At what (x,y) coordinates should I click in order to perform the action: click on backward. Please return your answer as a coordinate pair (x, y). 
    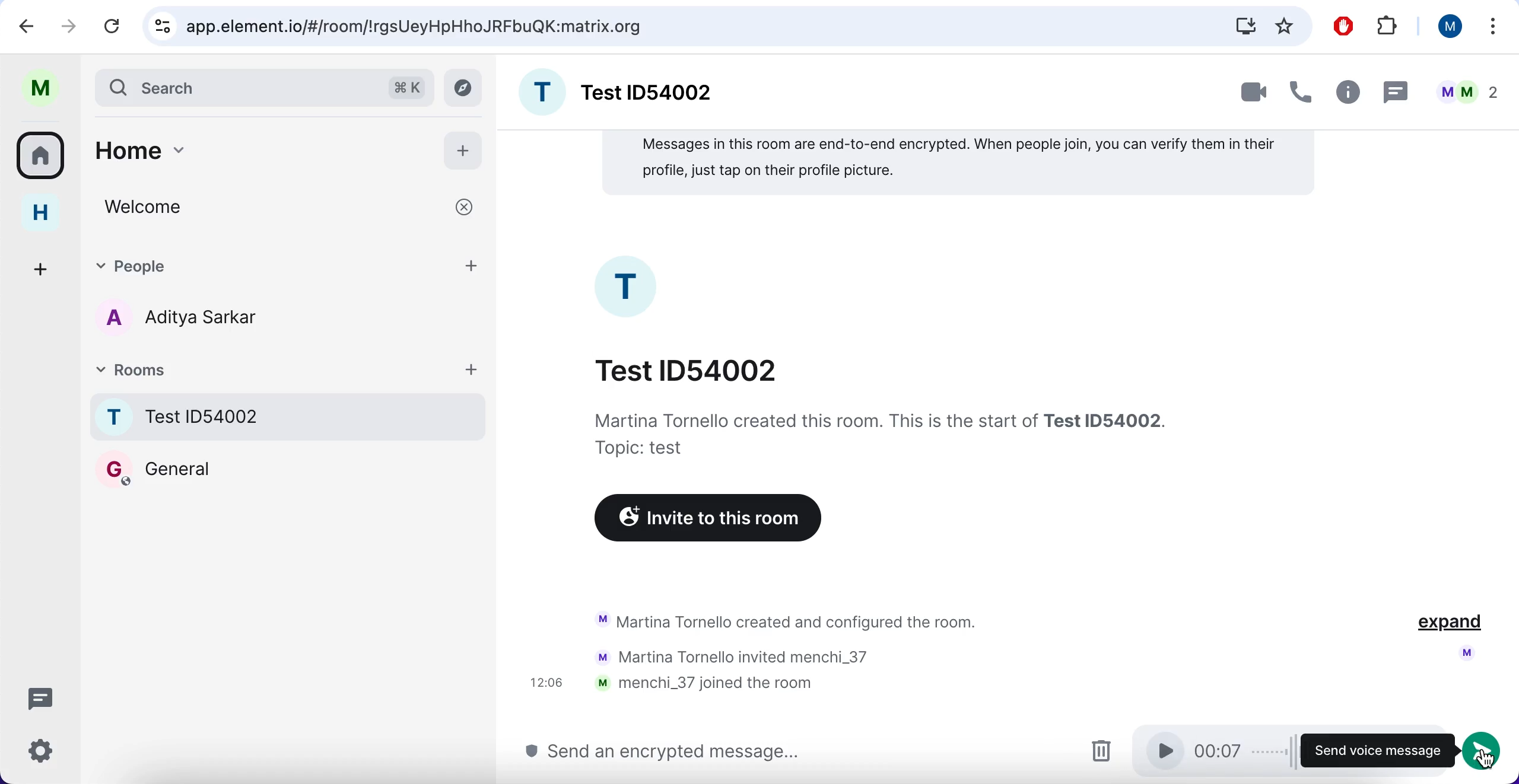
    Looking at the image, I should click on (21, 26).